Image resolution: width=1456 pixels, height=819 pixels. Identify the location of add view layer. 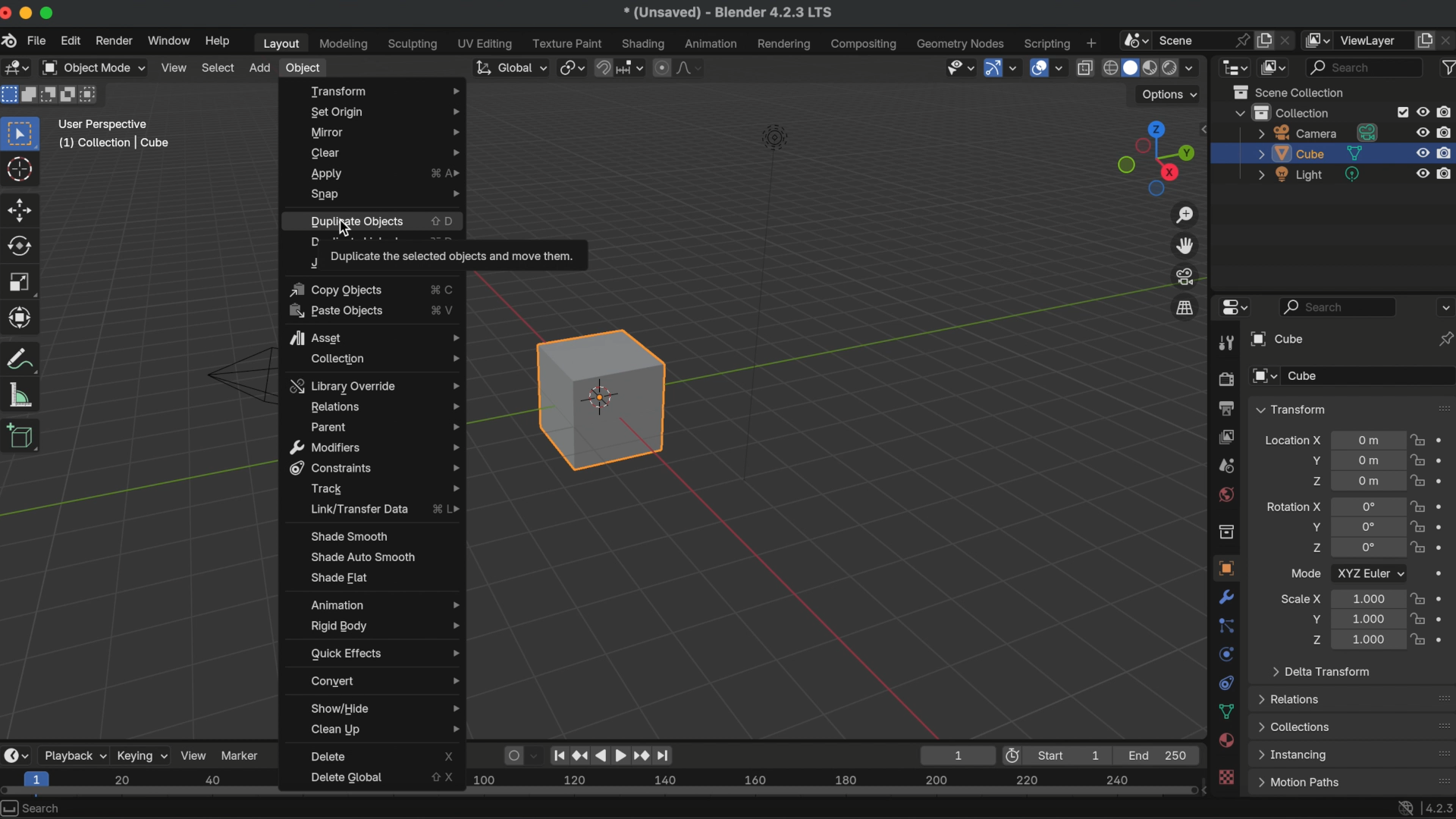
(1425, 39).